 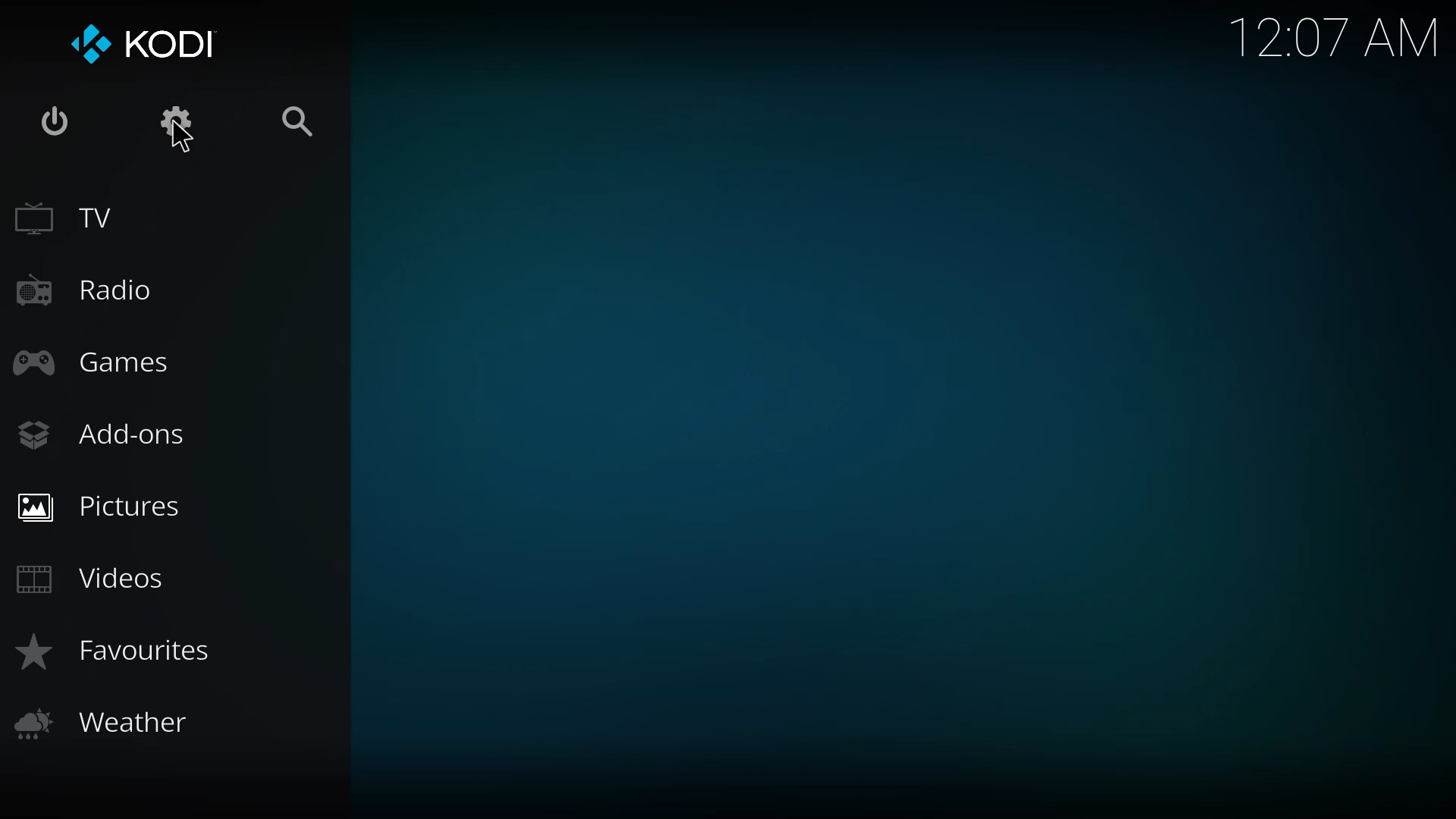 What do you see at coordinates (124, 652) in the screenshot?
I see `favorites` at bounding box center [124, 652].